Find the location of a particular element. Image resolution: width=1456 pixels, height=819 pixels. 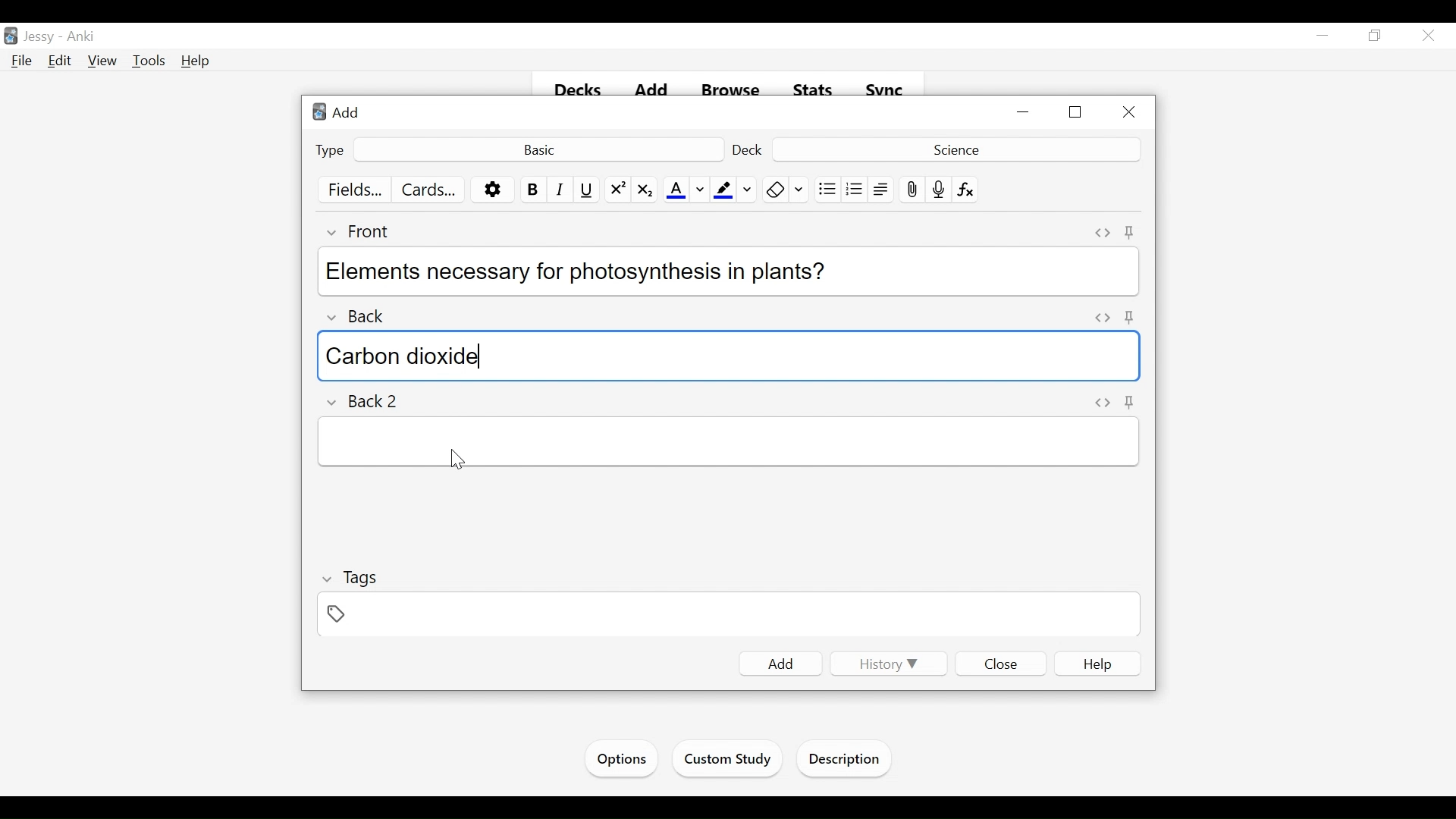

Restore is located at coordinates (1373, 36).